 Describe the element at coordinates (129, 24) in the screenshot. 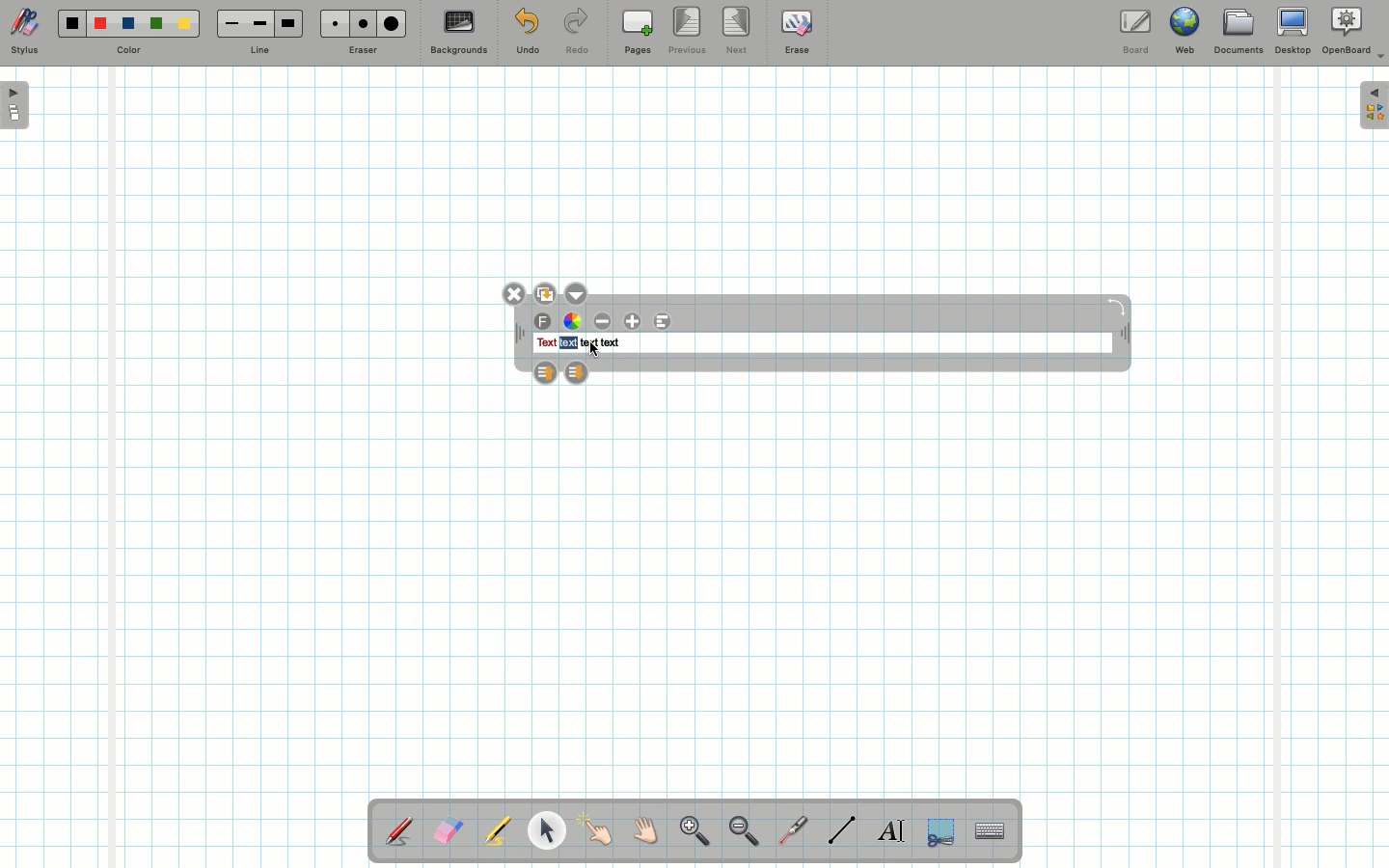

I see `Blue` at that location.